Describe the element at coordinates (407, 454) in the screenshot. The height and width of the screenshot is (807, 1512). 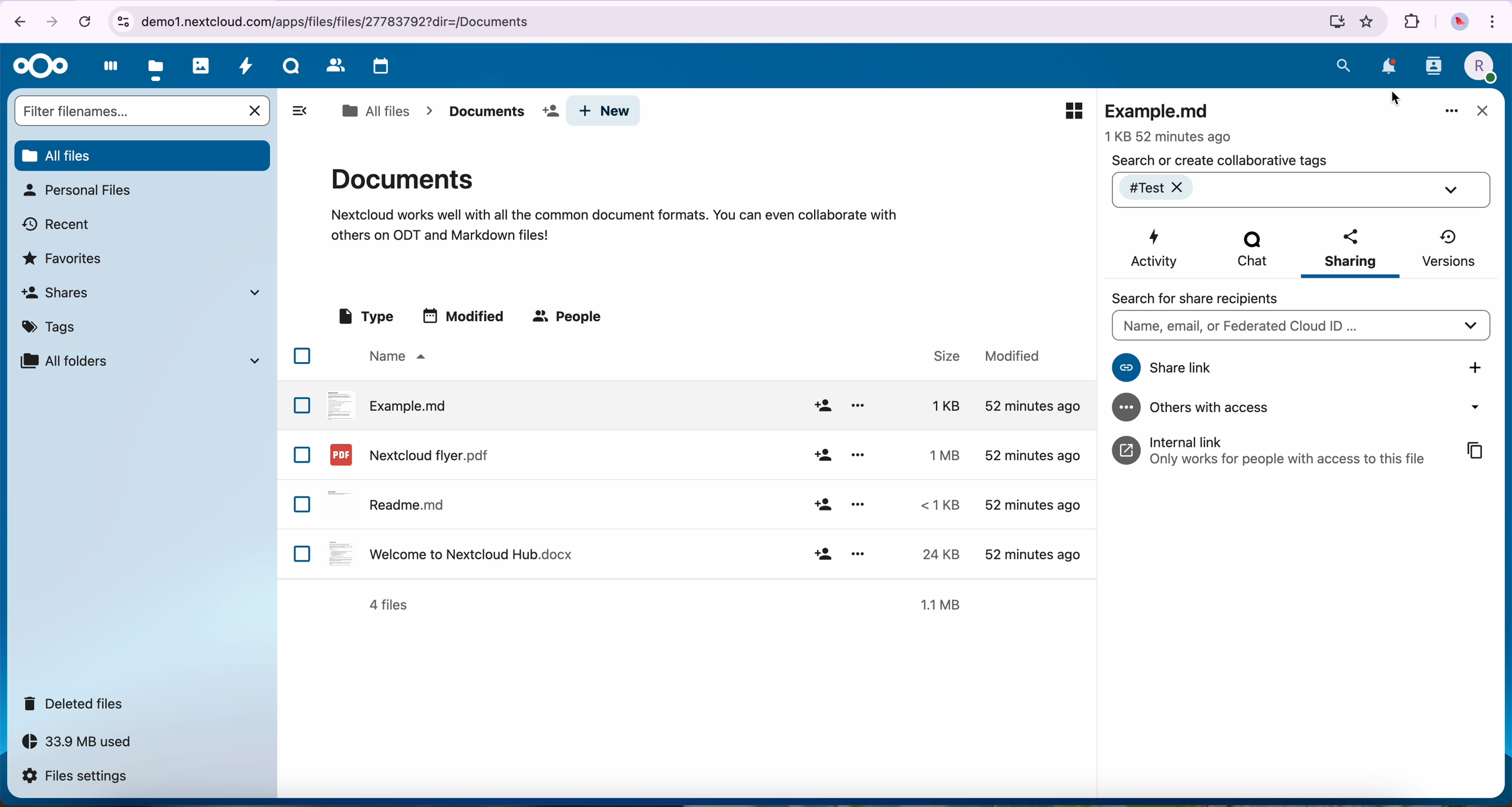
I see `nextcloud flyer.pdf` at that location.